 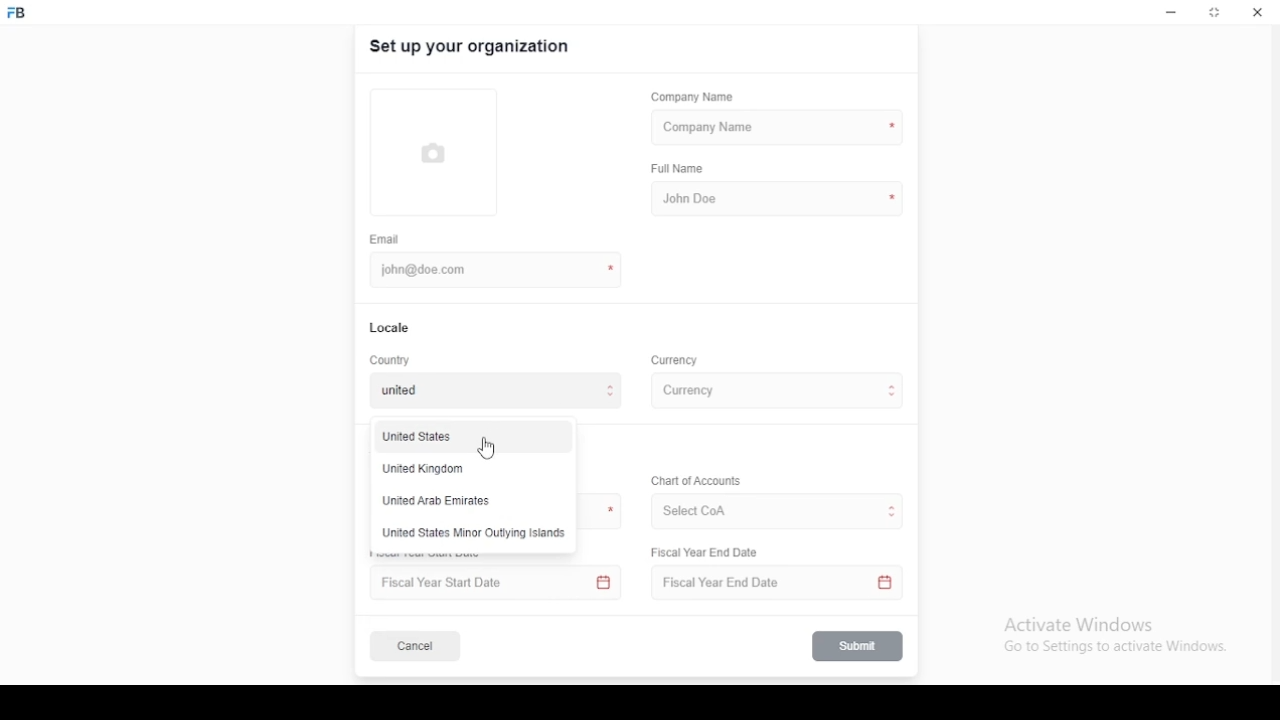 What do you see at coordinates (443, 148) in the screenshot?
I see `logo tumbnail` at bounding box center [443, 148].